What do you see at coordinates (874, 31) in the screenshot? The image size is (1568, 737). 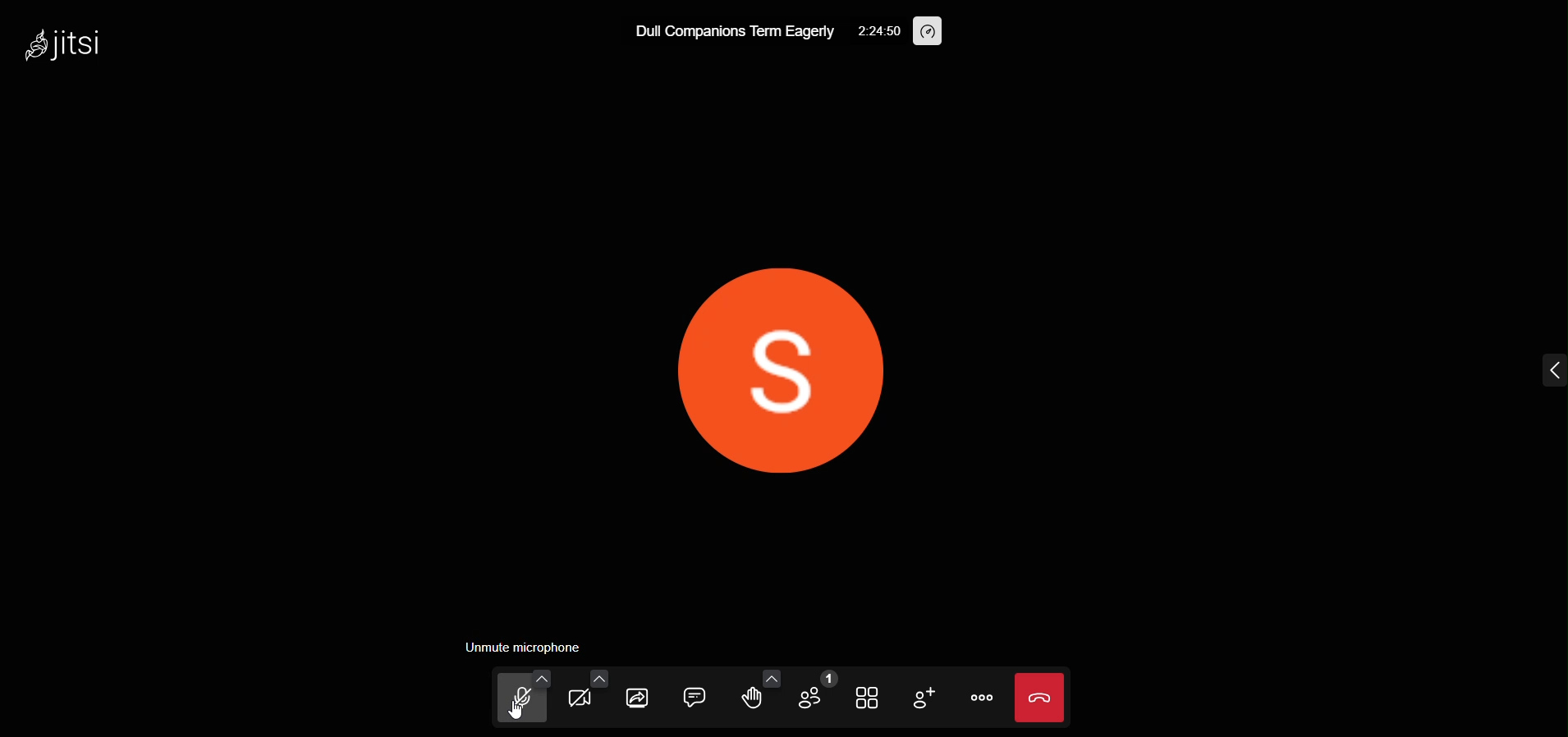 I see `setting` at bounding box center [874, 31].